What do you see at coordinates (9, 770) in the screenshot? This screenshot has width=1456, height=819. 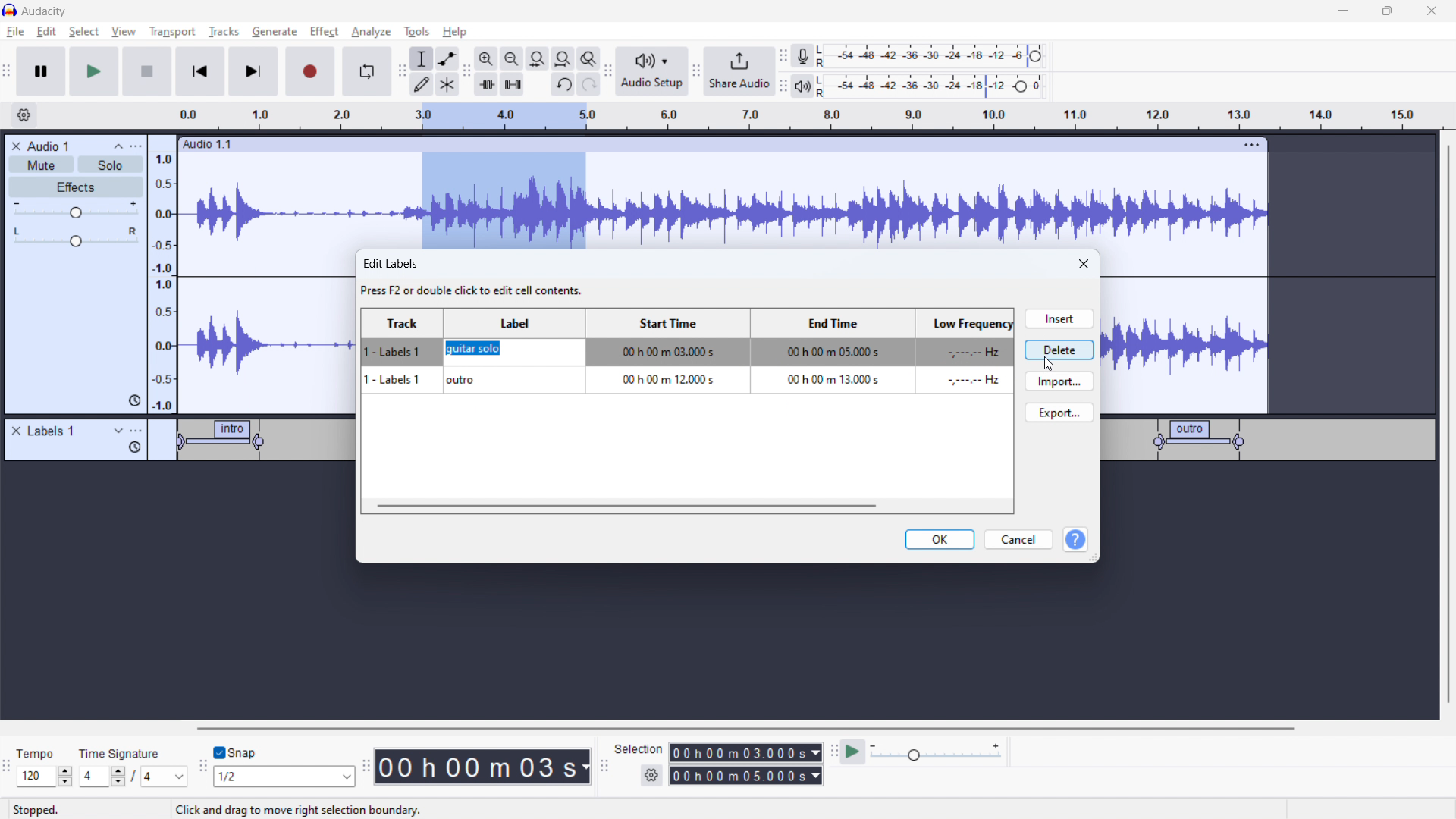 I see `time signature toolbar` at bounding box center [9, 770].